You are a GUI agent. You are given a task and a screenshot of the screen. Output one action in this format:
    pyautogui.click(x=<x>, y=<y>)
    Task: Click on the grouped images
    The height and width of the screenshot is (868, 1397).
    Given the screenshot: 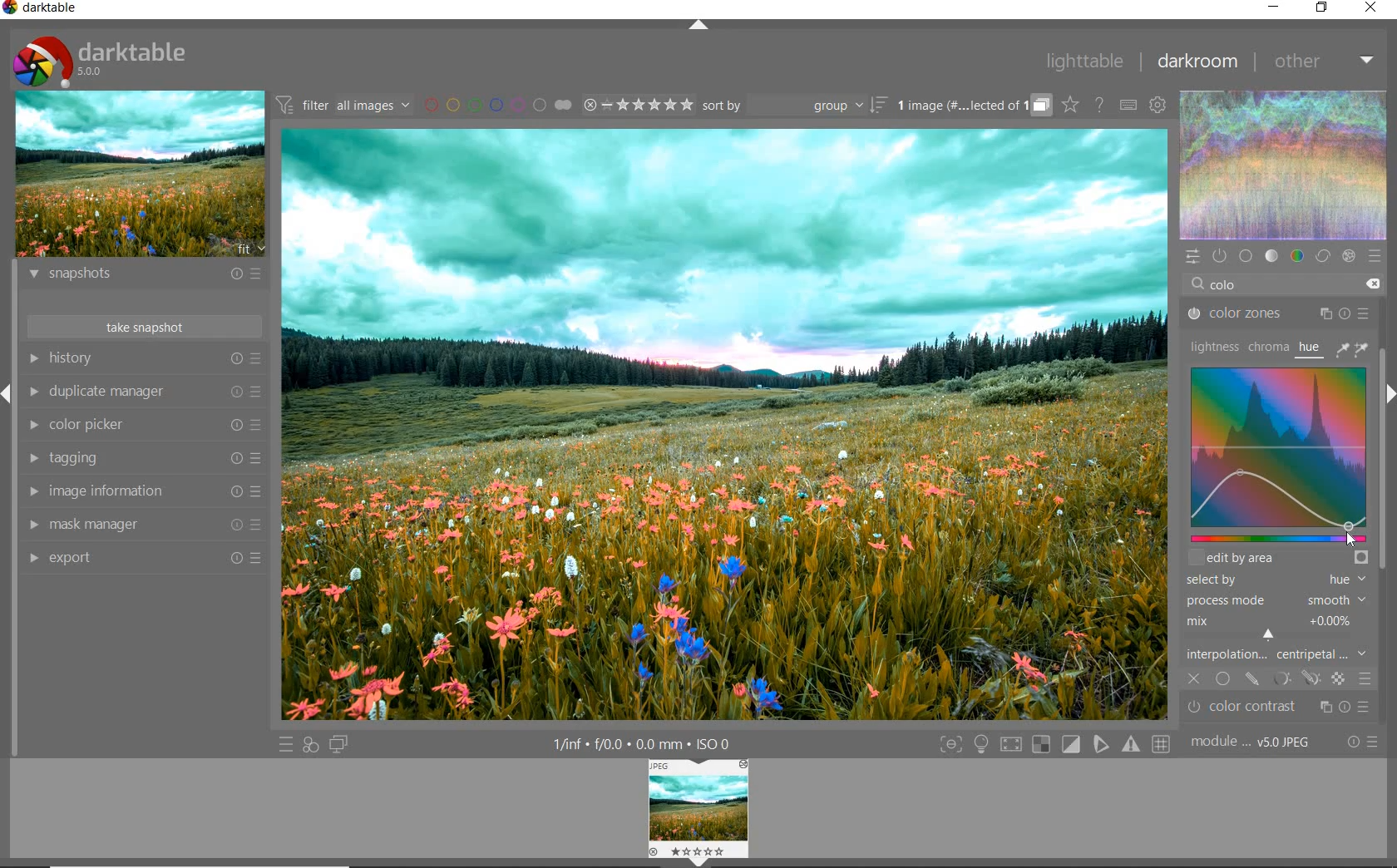 What is the action you would take?
    pyautogui.click(x=972, y=106)
    